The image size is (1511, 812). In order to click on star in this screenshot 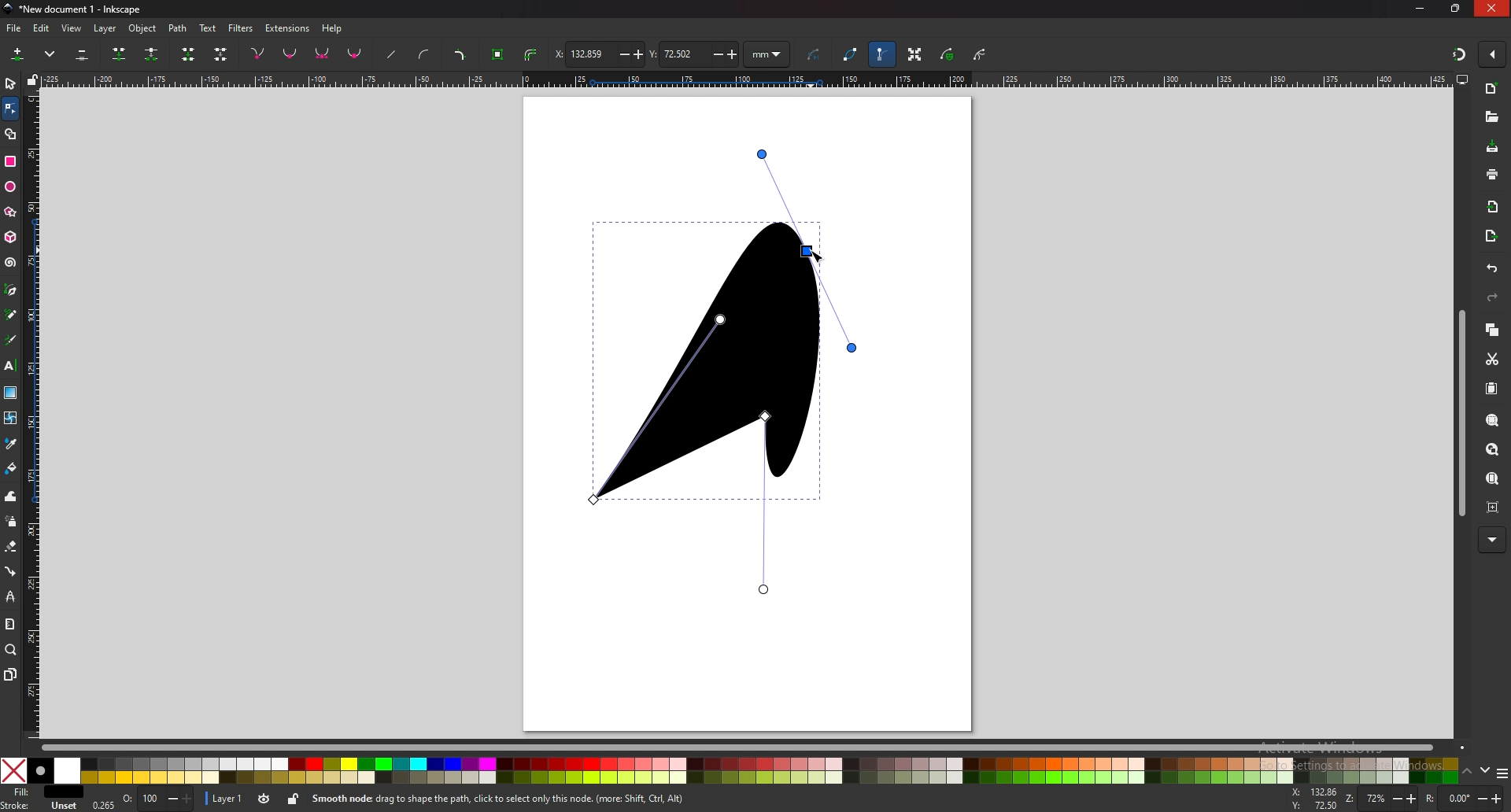, I will do `click(12, 213)`.